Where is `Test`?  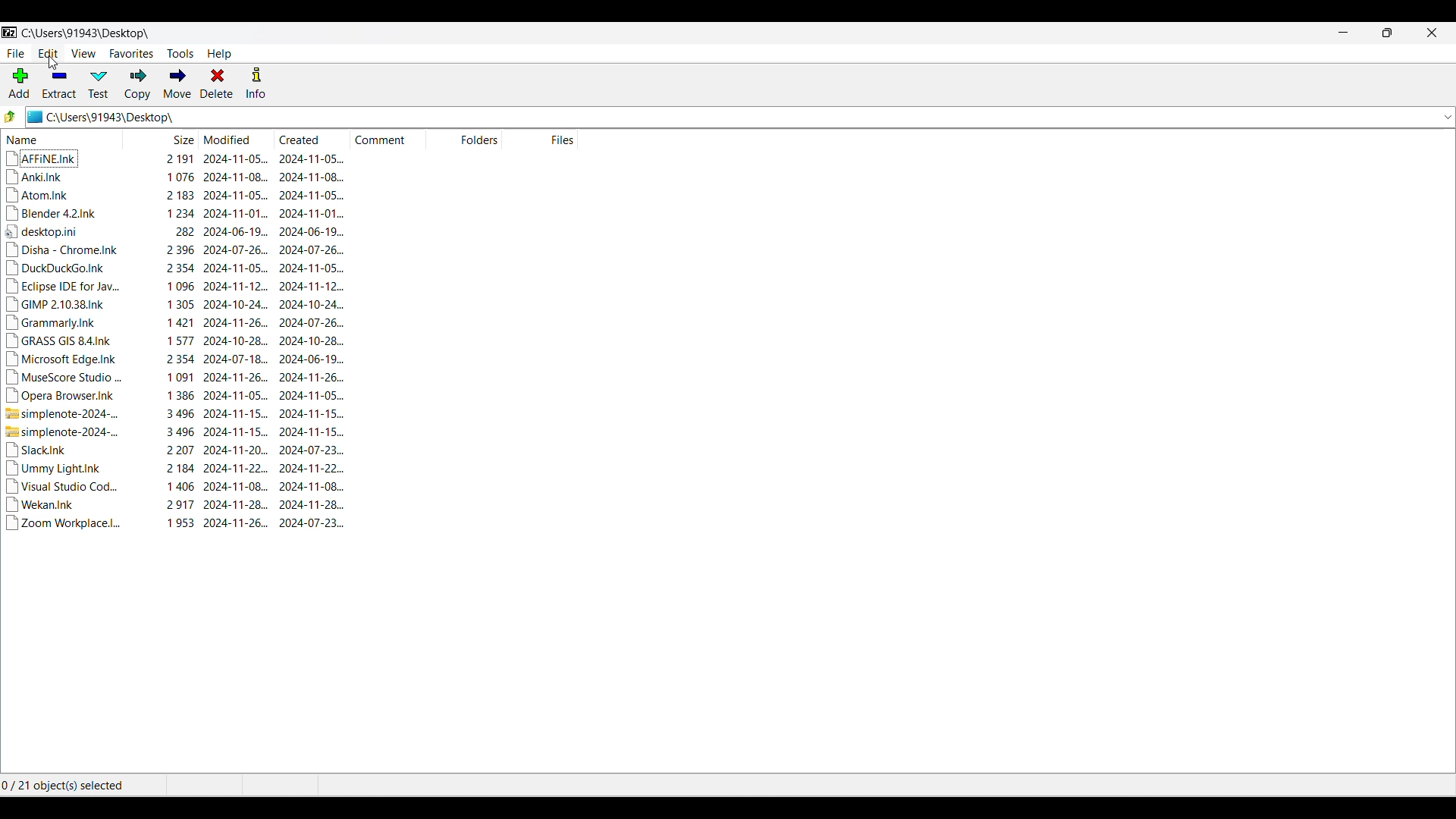
Test is located at coordinates (99, 83).